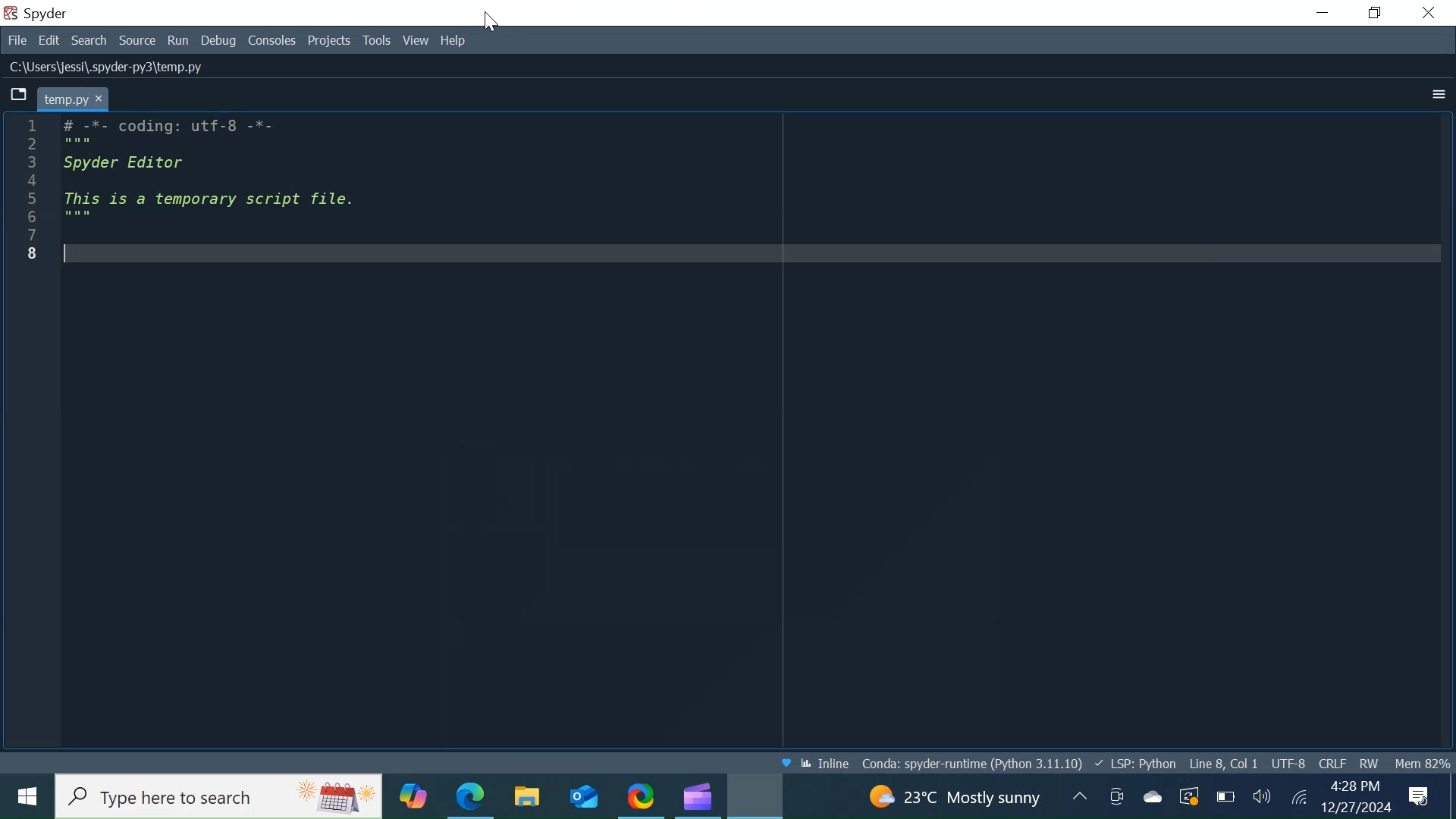 This screenshot has width=1456, height=819. Describe the element at coordinates (48, 41) in the screenshot. I see `Edit` at that location.